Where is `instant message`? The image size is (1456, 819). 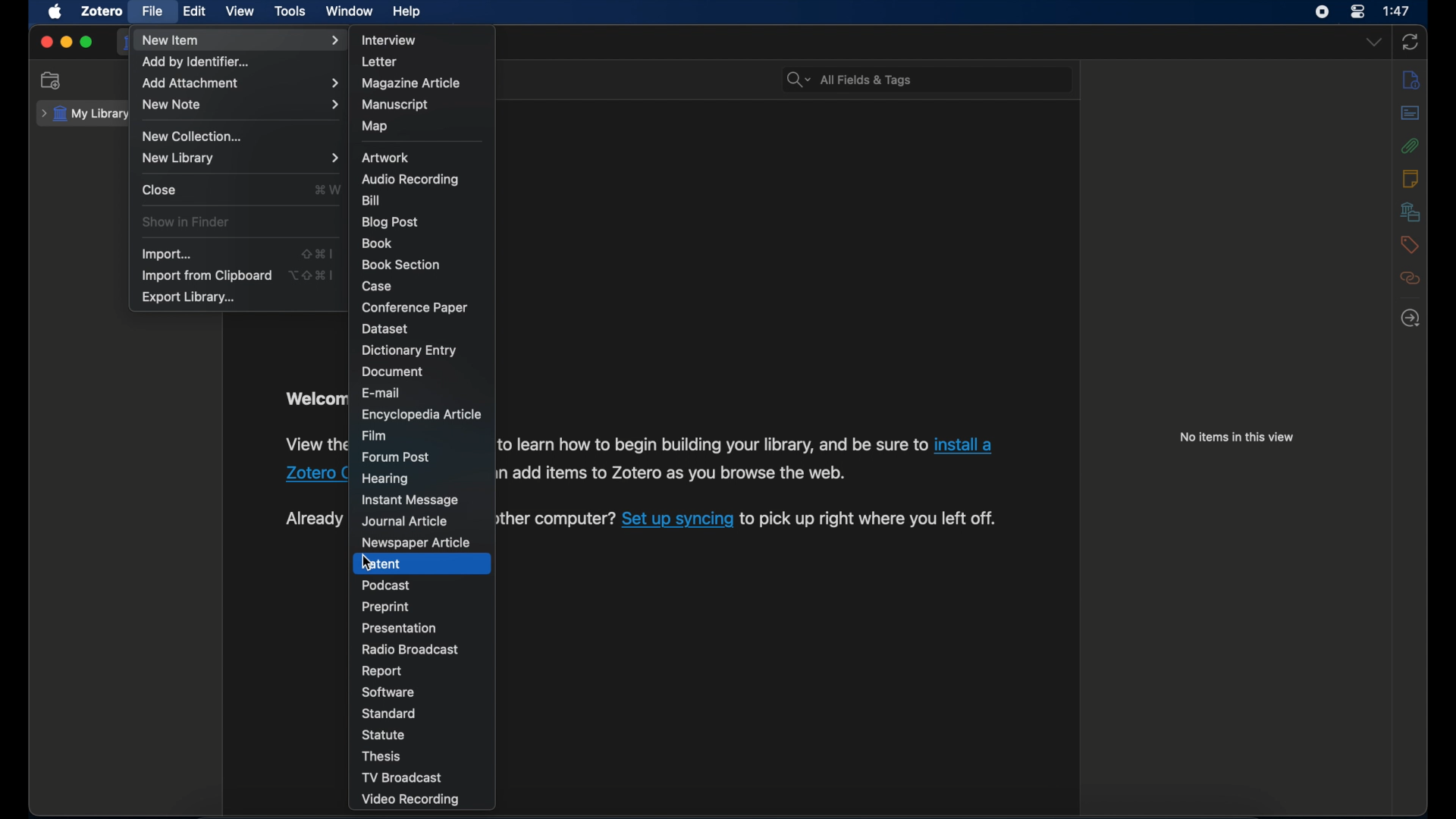 instant message is located at coordinates (409, 501).